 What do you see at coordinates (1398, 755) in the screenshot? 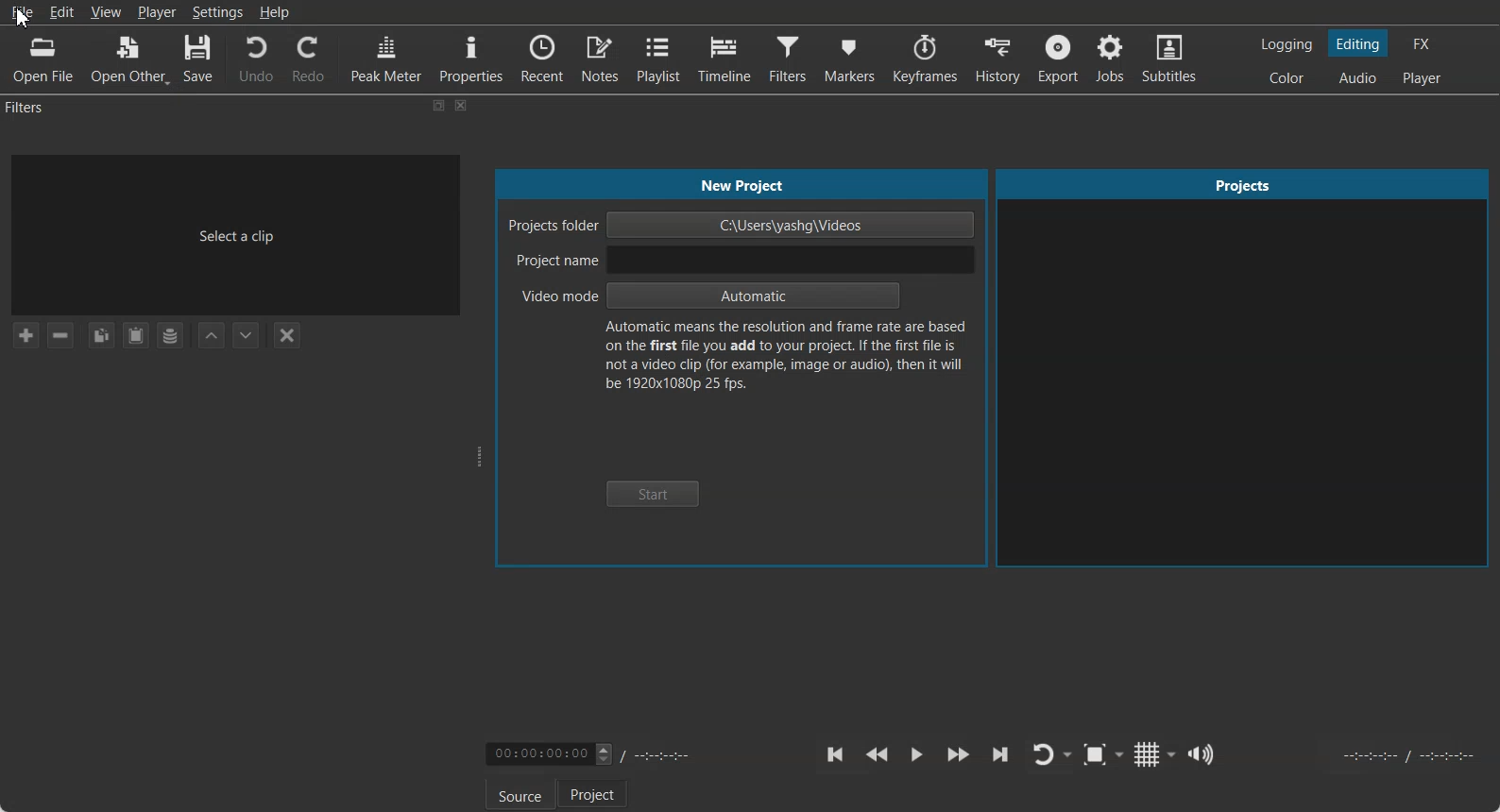
I see `Video Timing` at bounding box center [1398, 755].